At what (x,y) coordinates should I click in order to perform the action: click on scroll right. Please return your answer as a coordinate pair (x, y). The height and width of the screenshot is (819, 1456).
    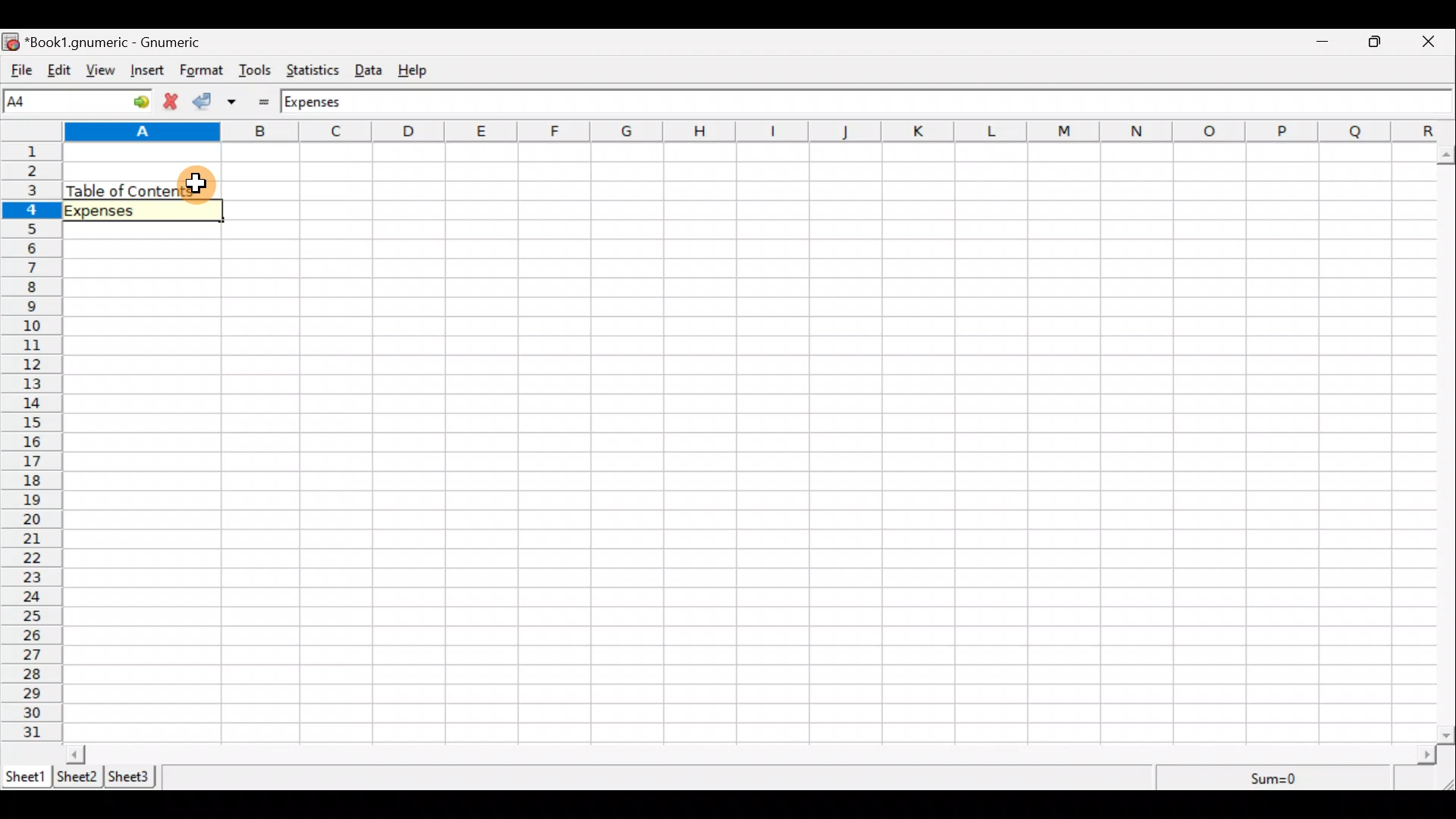
    Looking at the image, I should click on (1426, 755).